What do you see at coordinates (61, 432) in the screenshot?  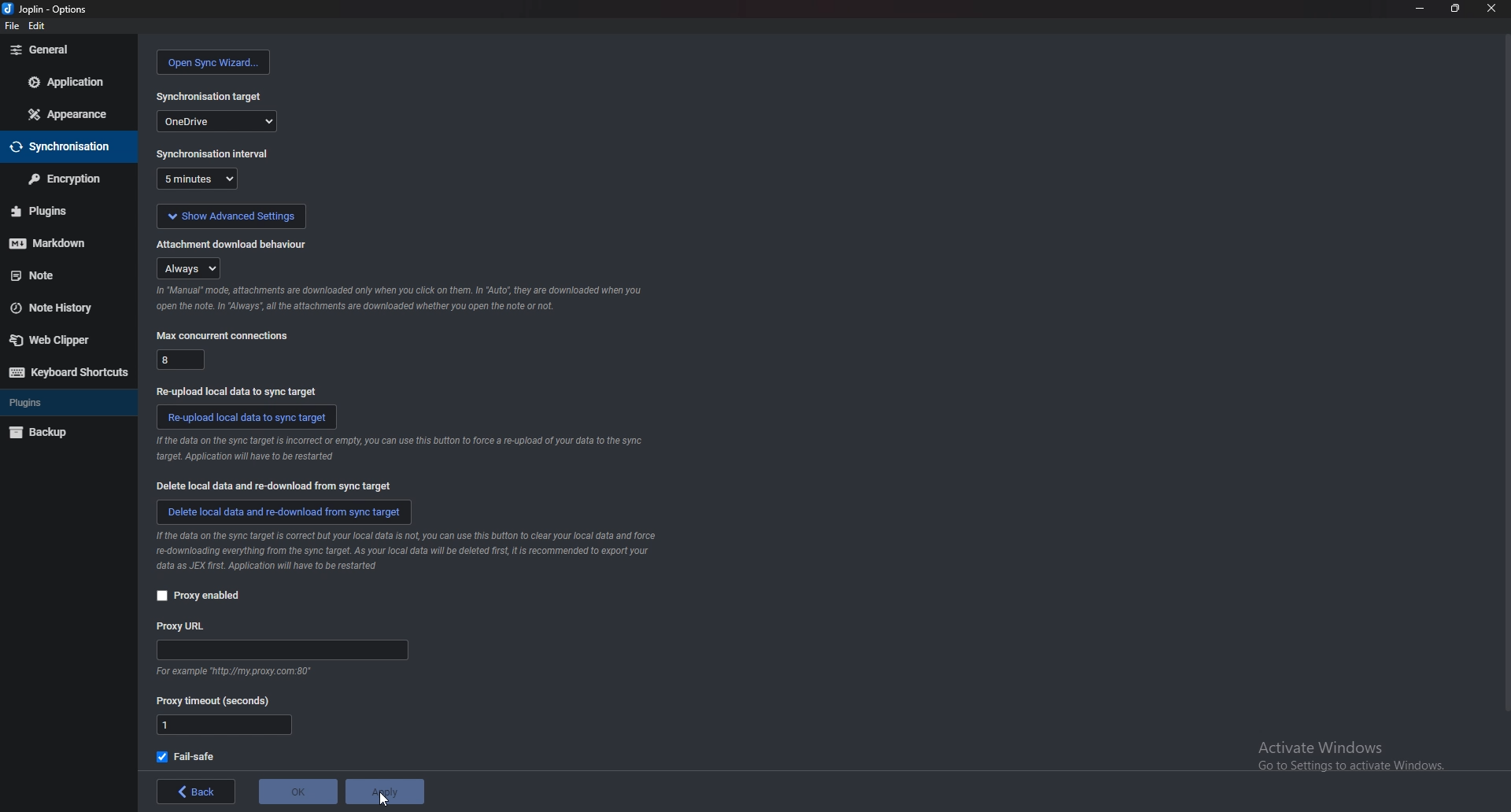 I see `backup` at bounding box center [61, 432].